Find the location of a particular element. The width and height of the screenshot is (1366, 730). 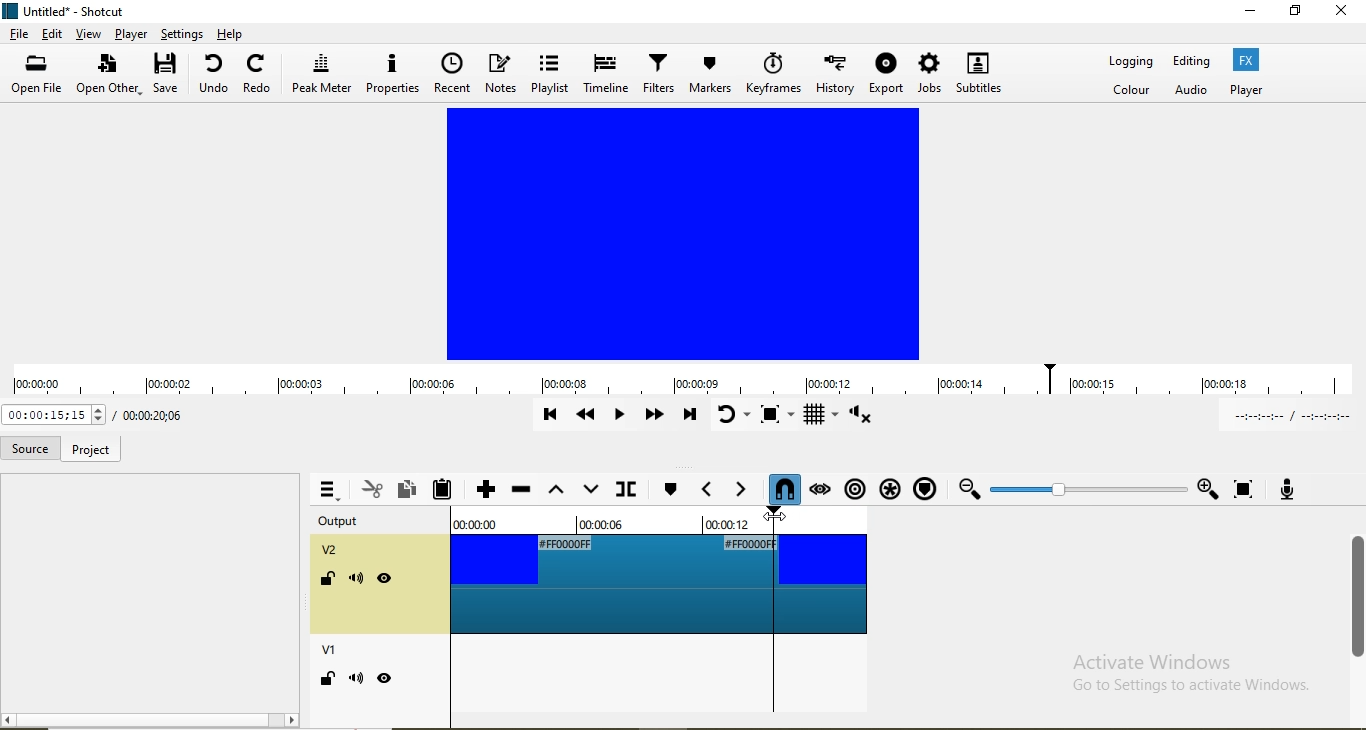

Color is located at coordinates (1133, 91).